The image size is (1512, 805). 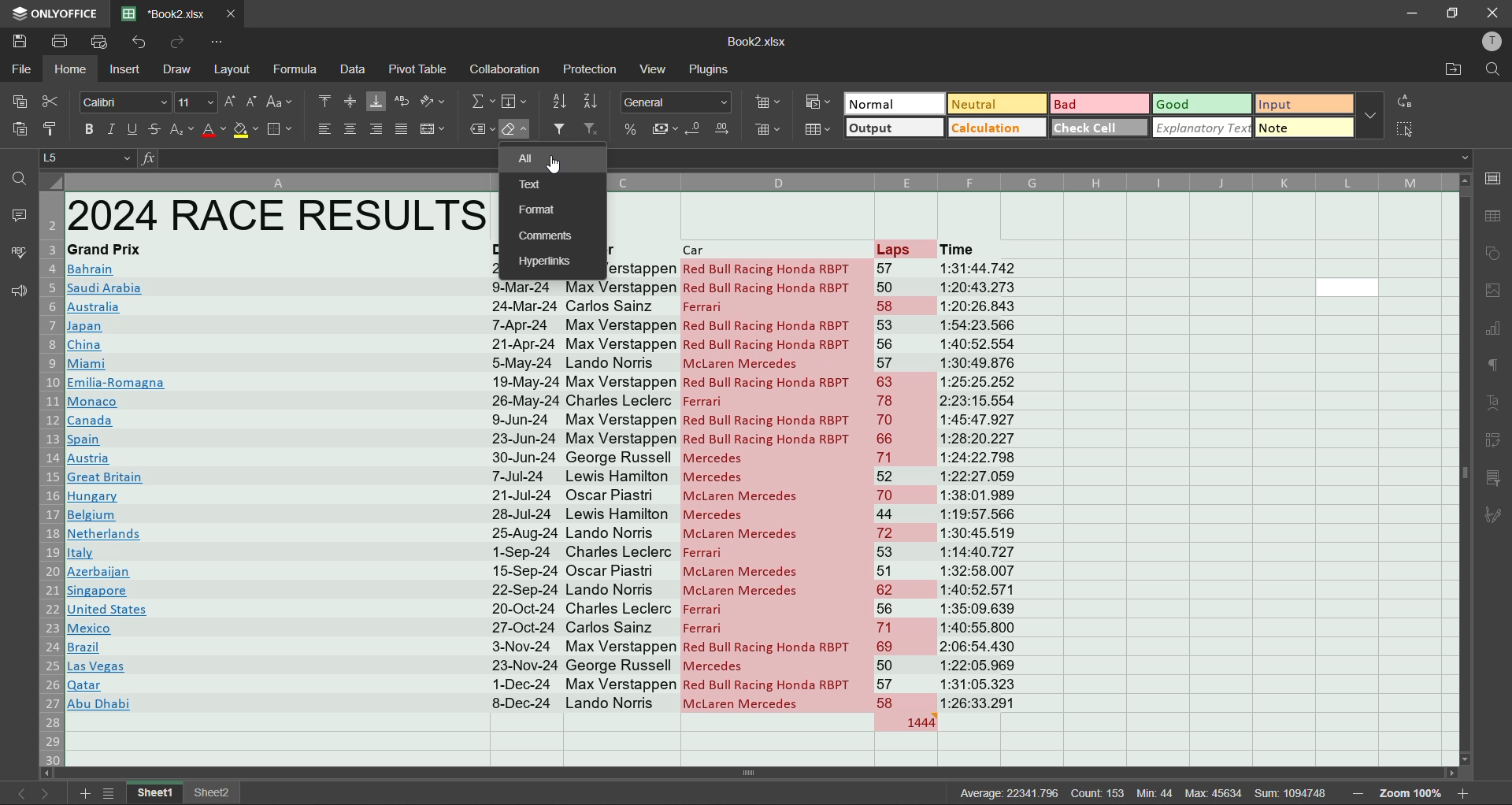 What do you see at coordinates (278, 129) in the screenshot?
I see `borders` at bounding box center [278, 129].